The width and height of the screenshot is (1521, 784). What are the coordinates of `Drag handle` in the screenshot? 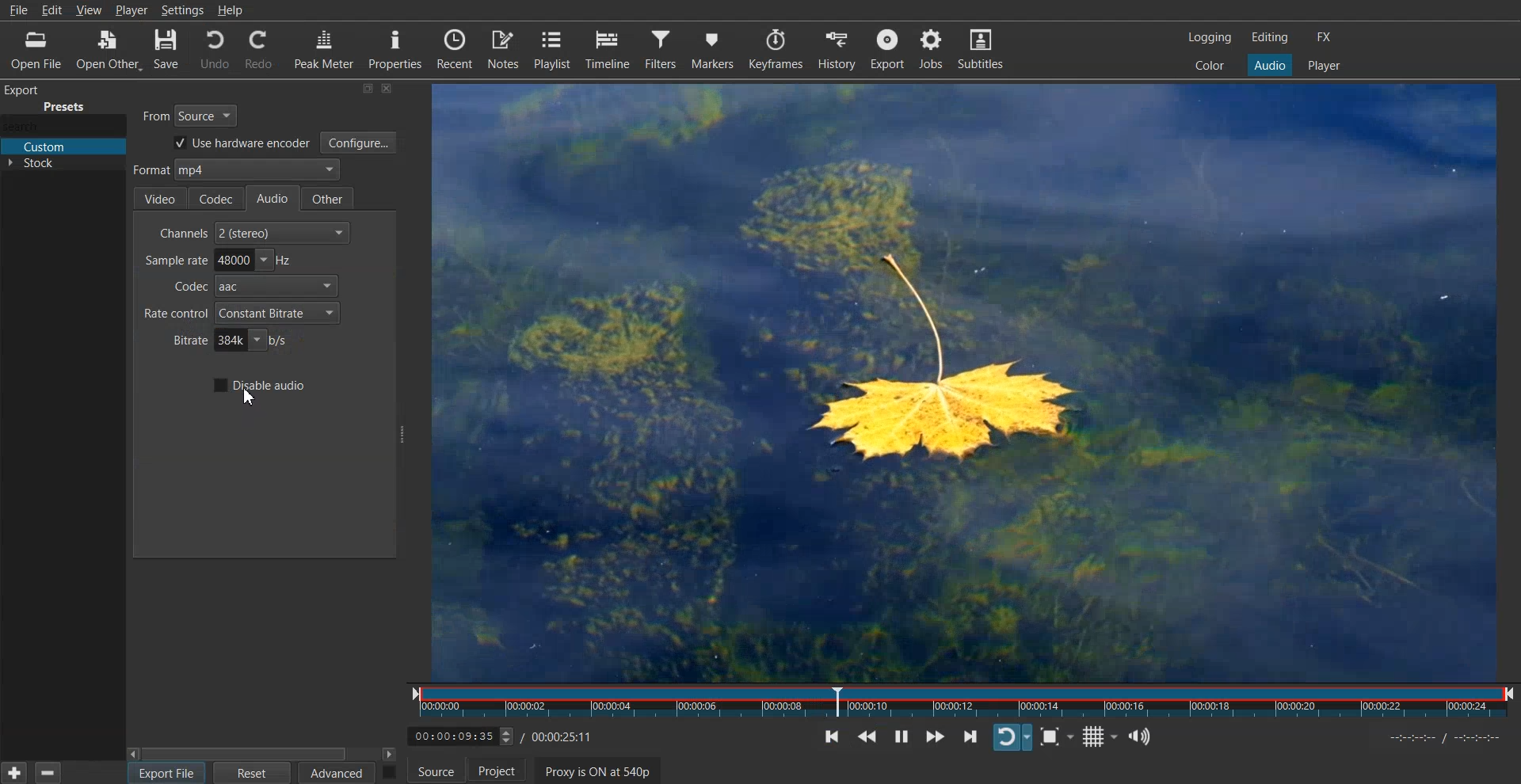 It's located at (403, 435).